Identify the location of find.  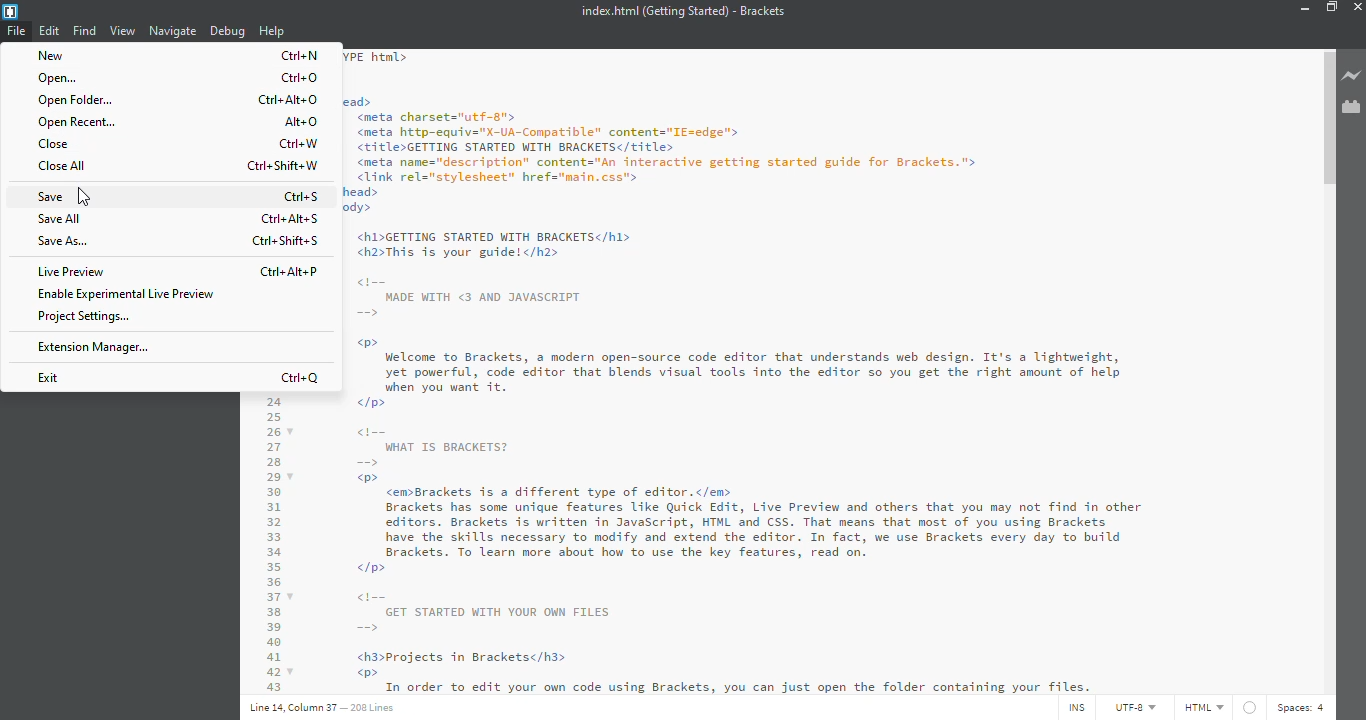
(86, 30).